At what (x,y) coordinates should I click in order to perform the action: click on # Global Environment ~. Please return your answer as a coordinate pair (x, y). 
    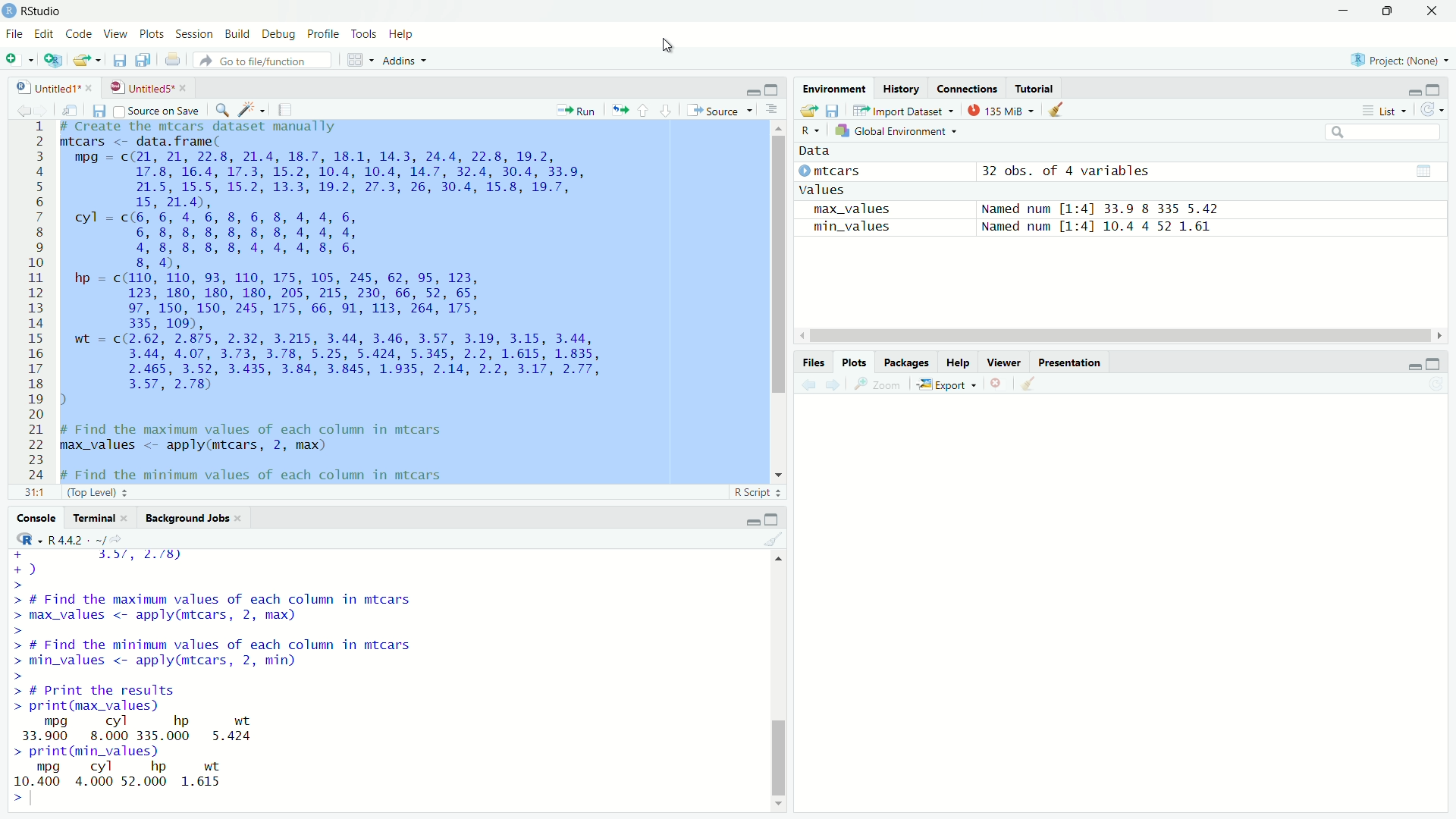
    Looking at the image, I should click on (899, 130).